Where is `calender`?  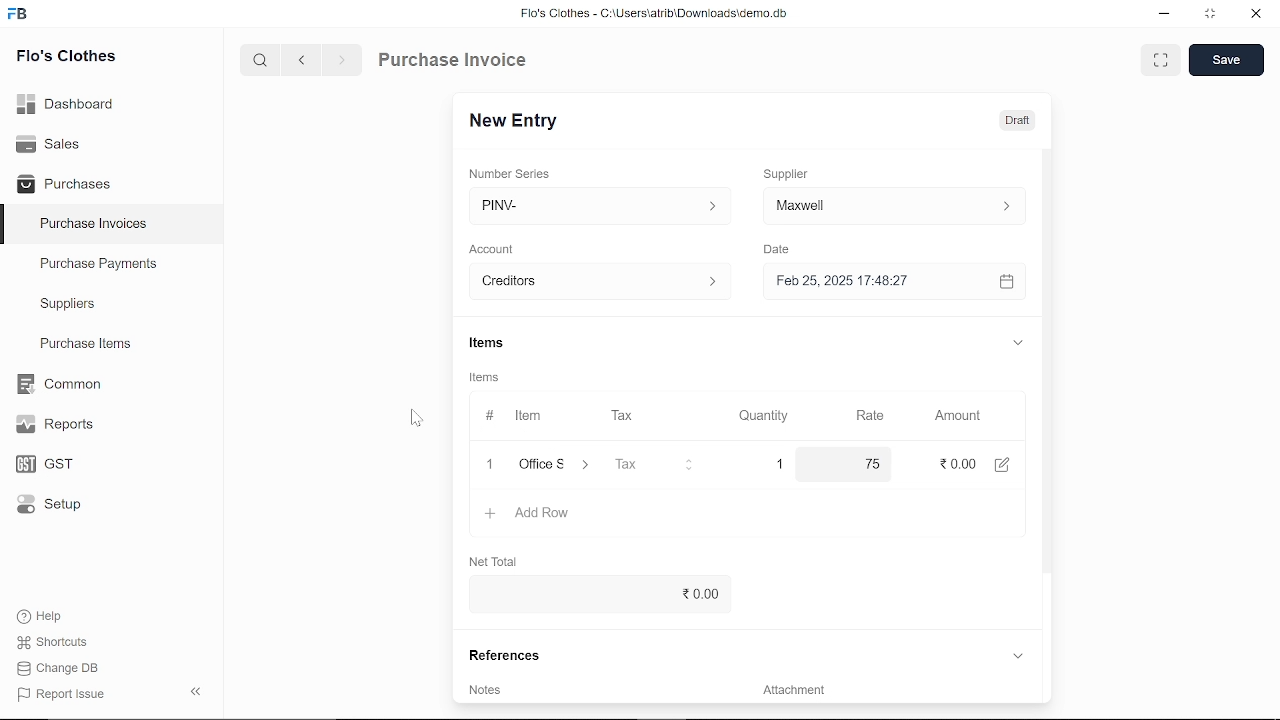
calender is located at coordinates (1009, 282).